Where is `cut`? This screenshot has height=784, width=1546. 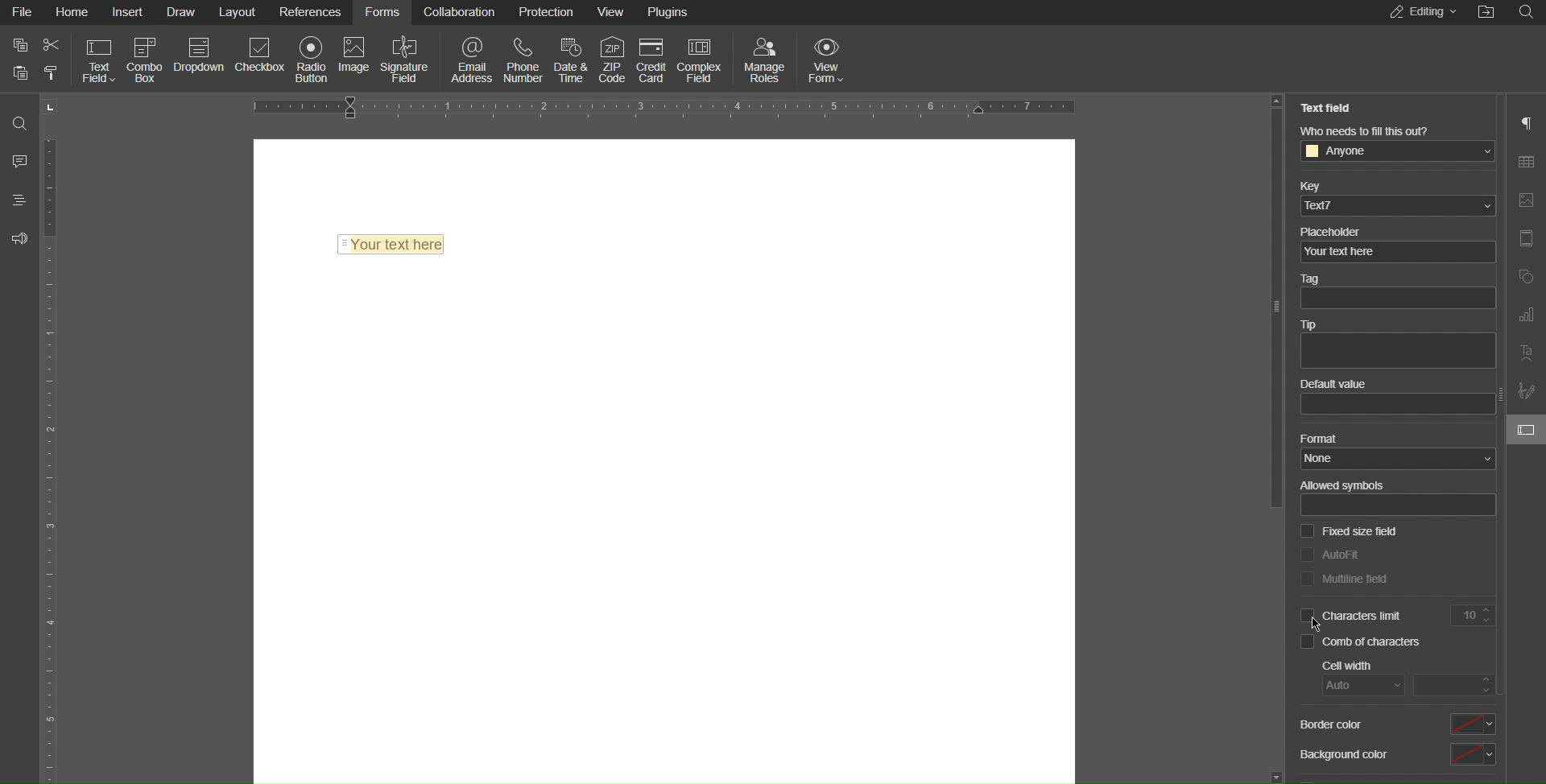
cut is located at coordinates (52, 45).